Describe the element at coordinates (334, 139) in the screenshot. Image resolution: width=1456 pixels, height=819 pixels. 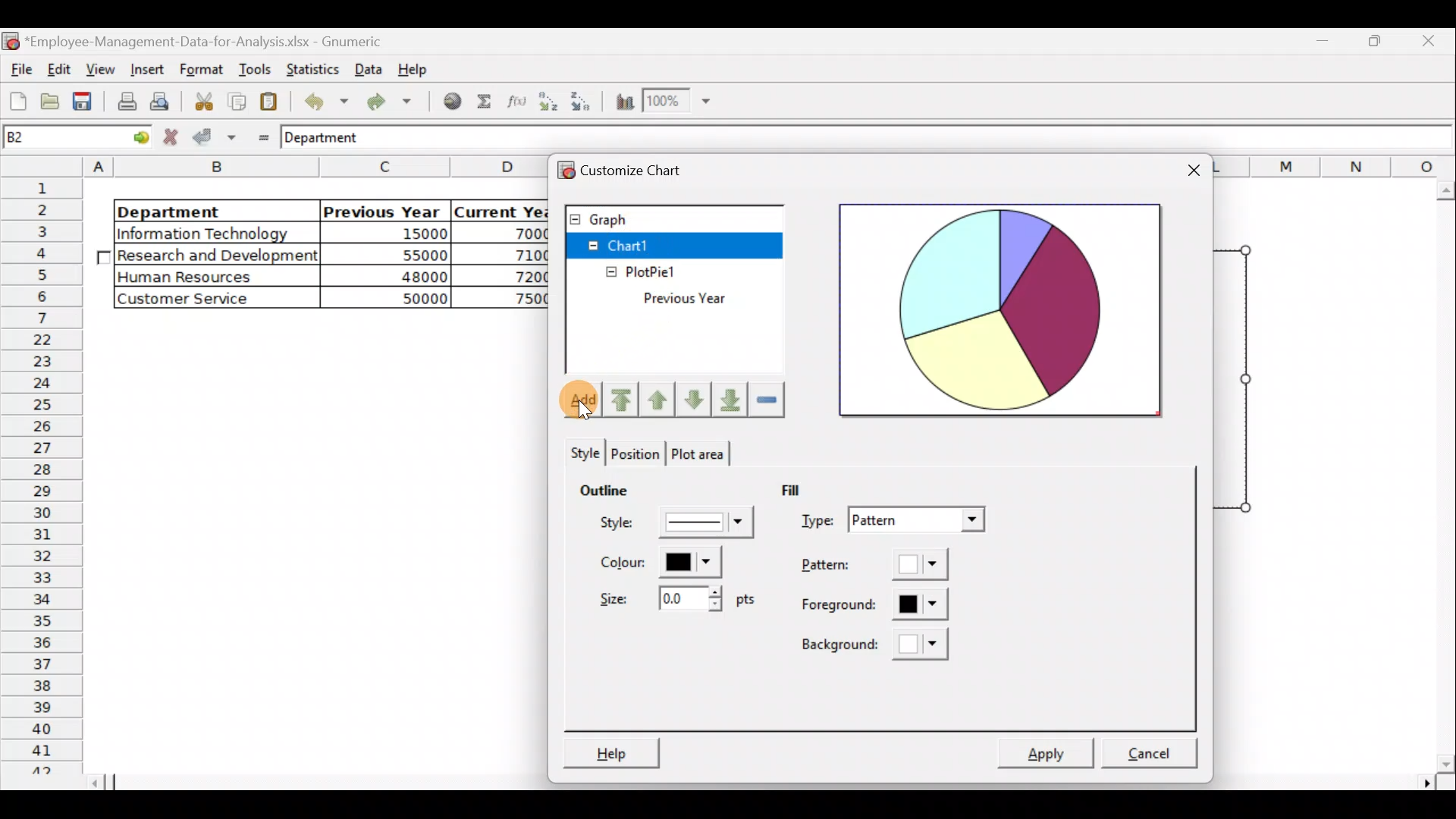
I see `Department` at that location.